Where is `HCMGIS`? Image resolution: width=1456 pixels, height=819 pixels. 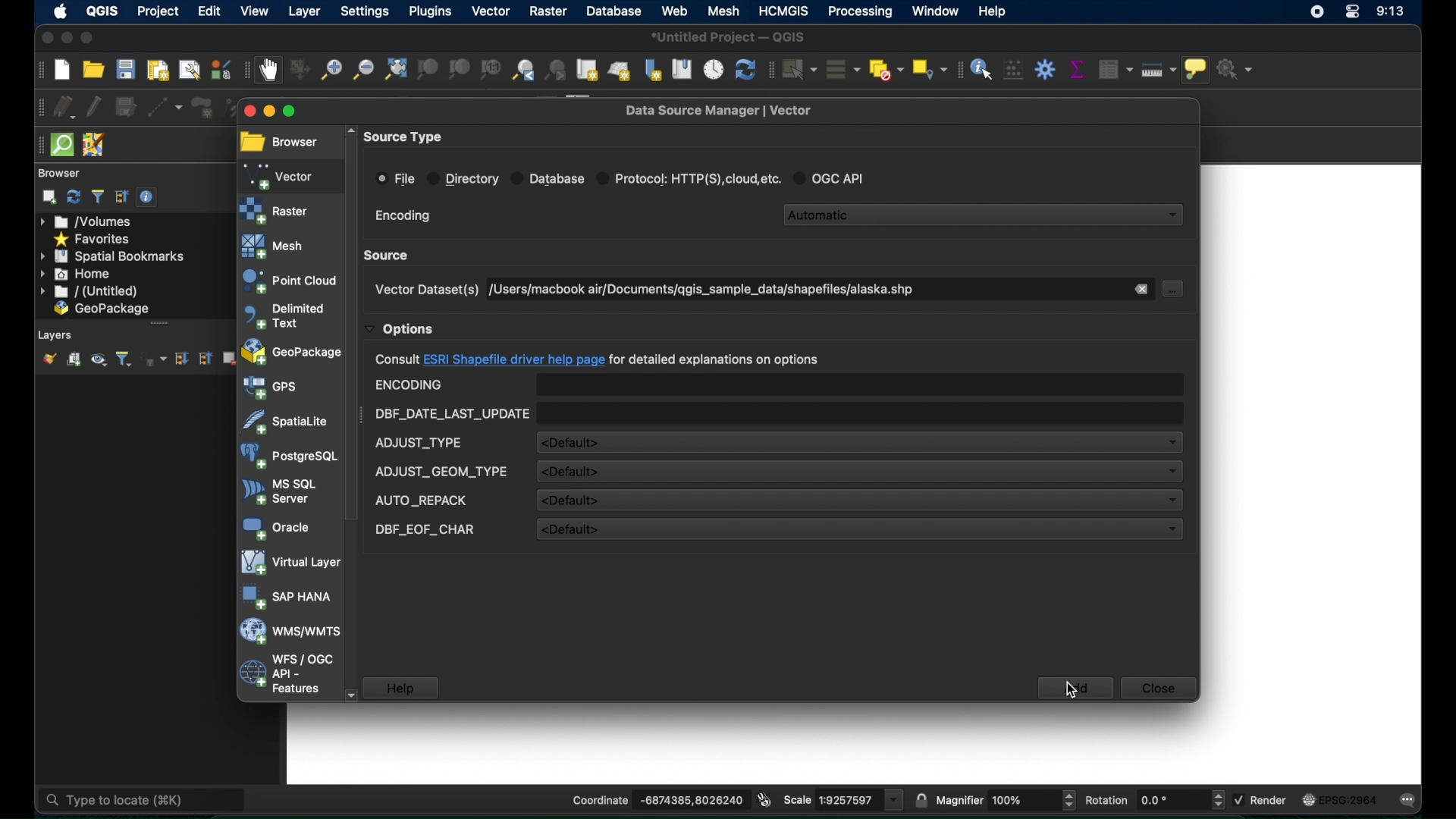 HCMGIS is located at coordinates (785, 11).